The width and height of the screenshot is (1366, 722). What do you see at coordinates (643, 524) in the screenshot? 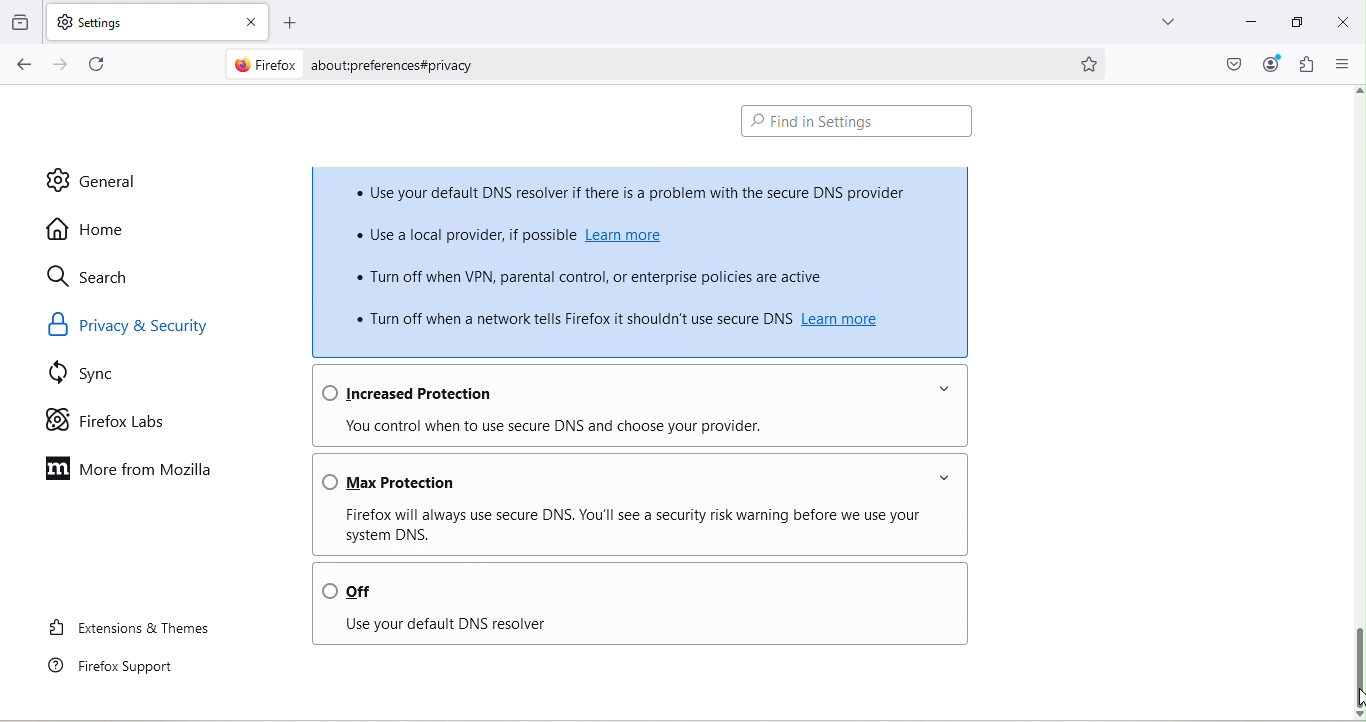
I see `Firefox will always use secure DNS . You'll see a security risk warning before we use your system DNS` at bounding box center [643, 524].